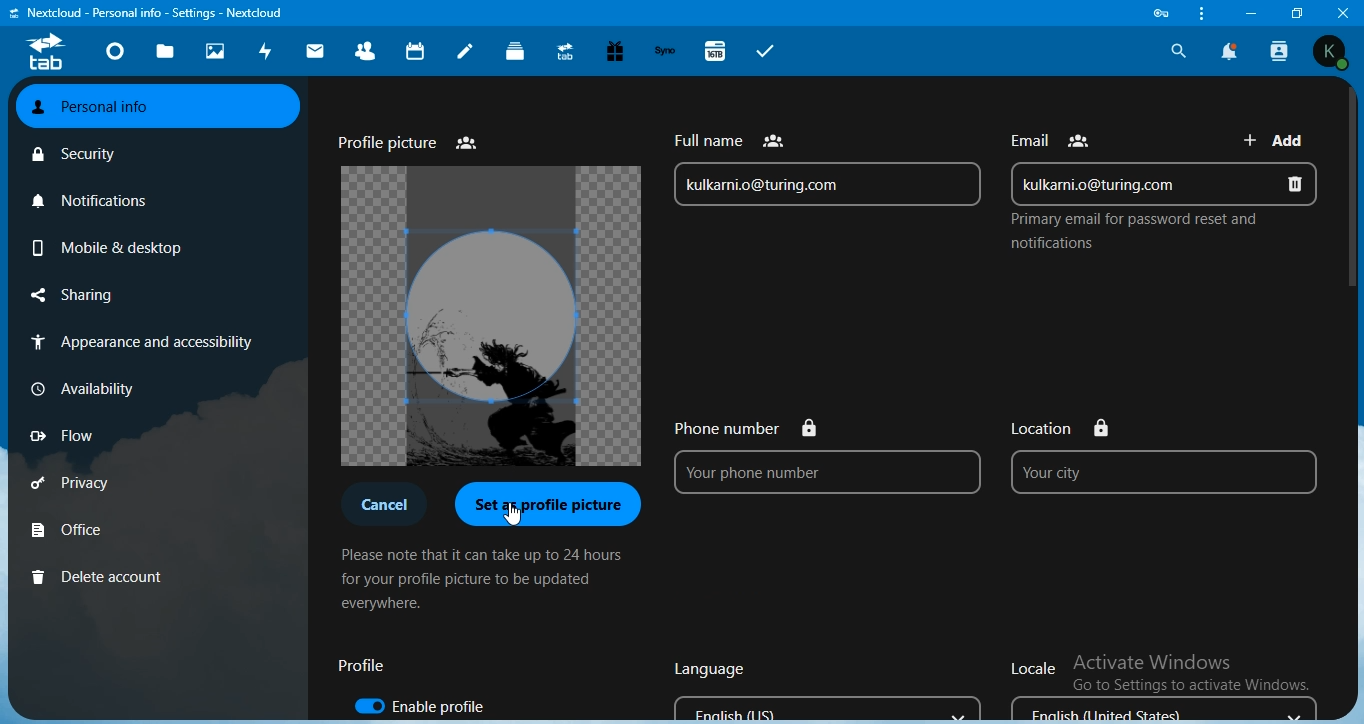 The height and width of the screenshot is (724, 1364). What do you see at coordinates (1344, 12) in the screenshot?
I see `close` at bounding box center [1344, 12].